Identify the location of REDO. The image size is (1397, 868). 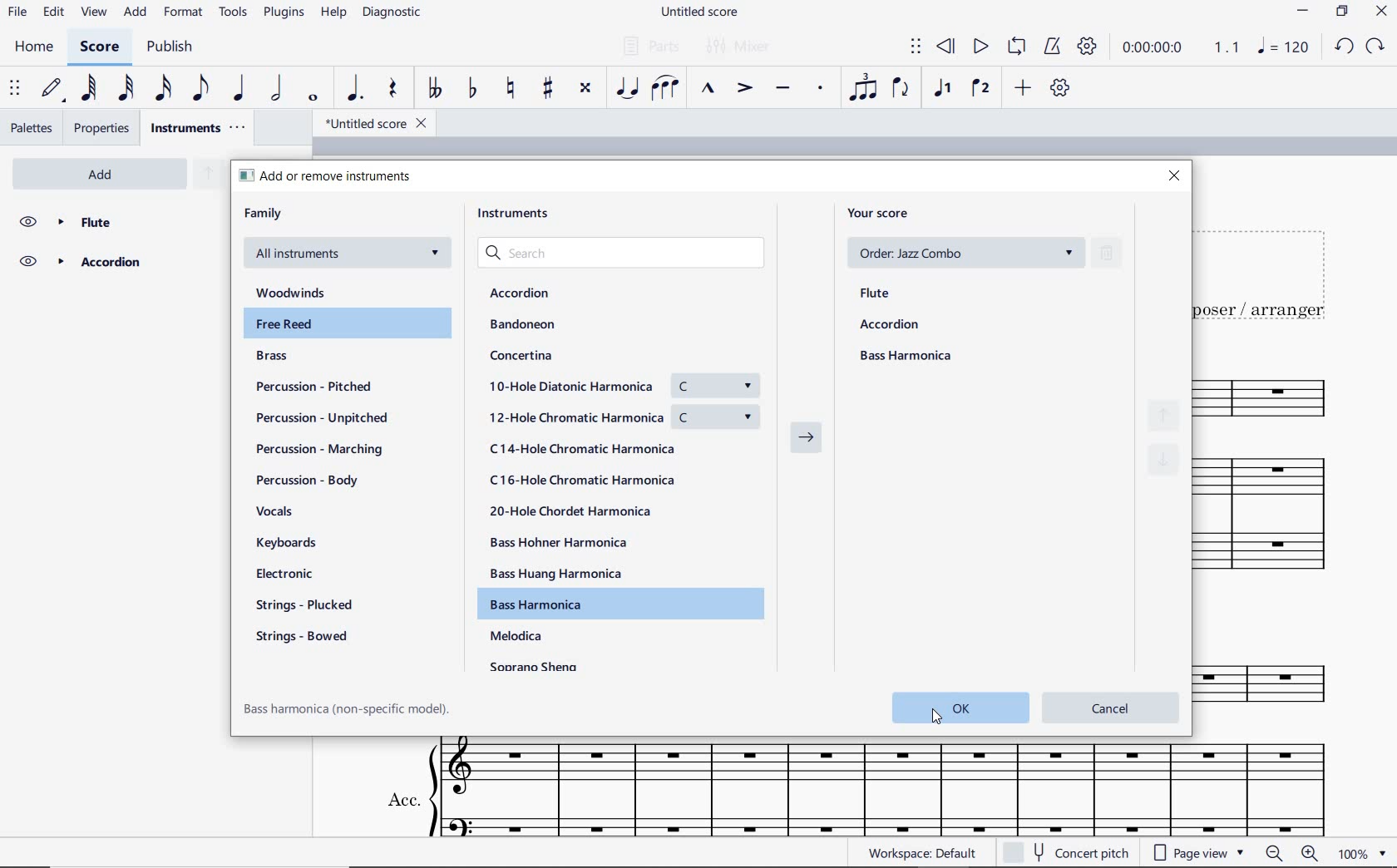
(1376, 47).